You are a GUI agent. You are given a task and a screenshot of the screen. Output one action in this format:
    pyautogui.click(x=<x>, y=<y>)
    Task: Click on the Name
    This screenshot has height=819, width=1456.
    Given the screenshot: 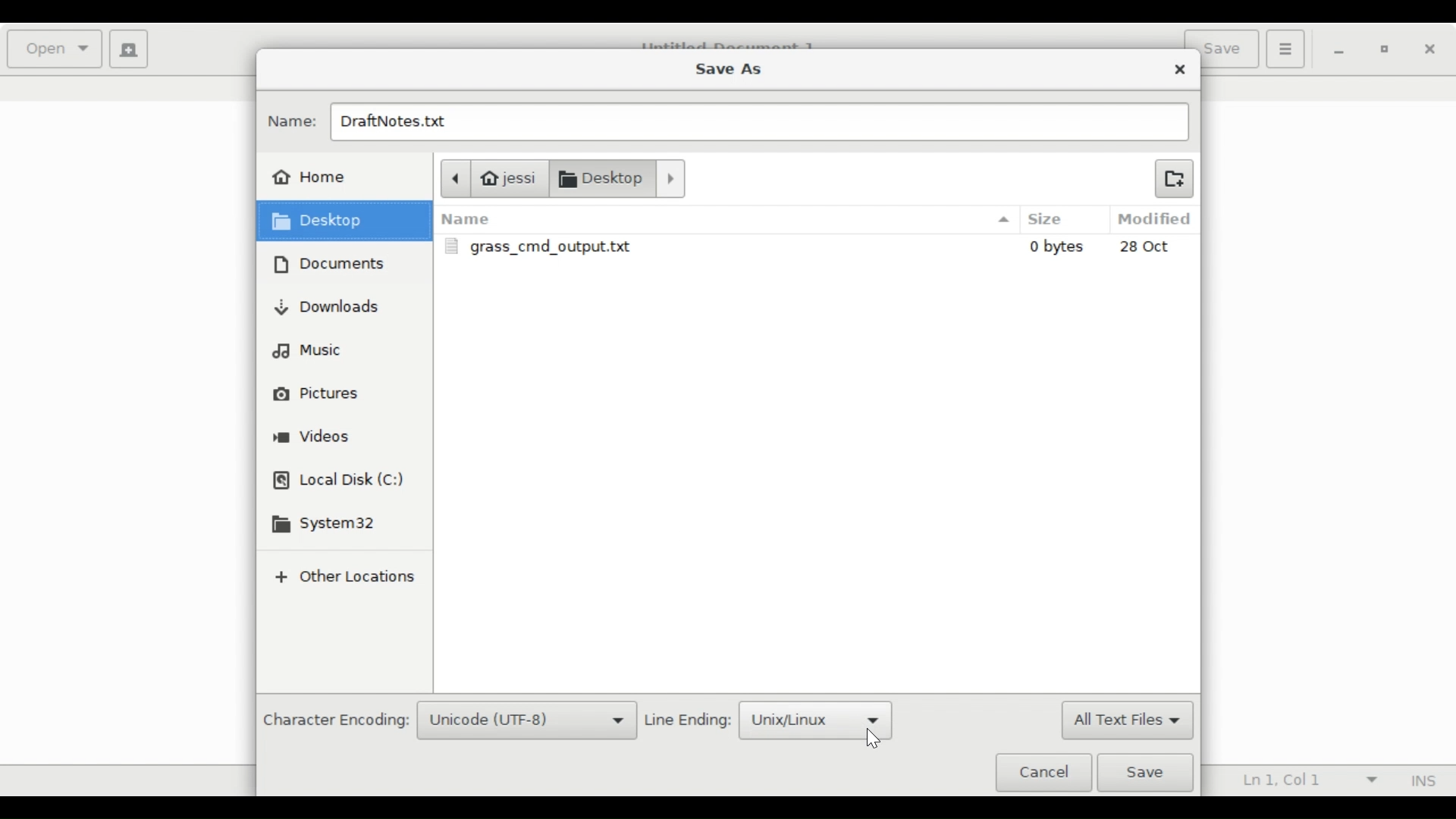 What is the action you would take?
    pyautogui.click(x=726, y=219)
    